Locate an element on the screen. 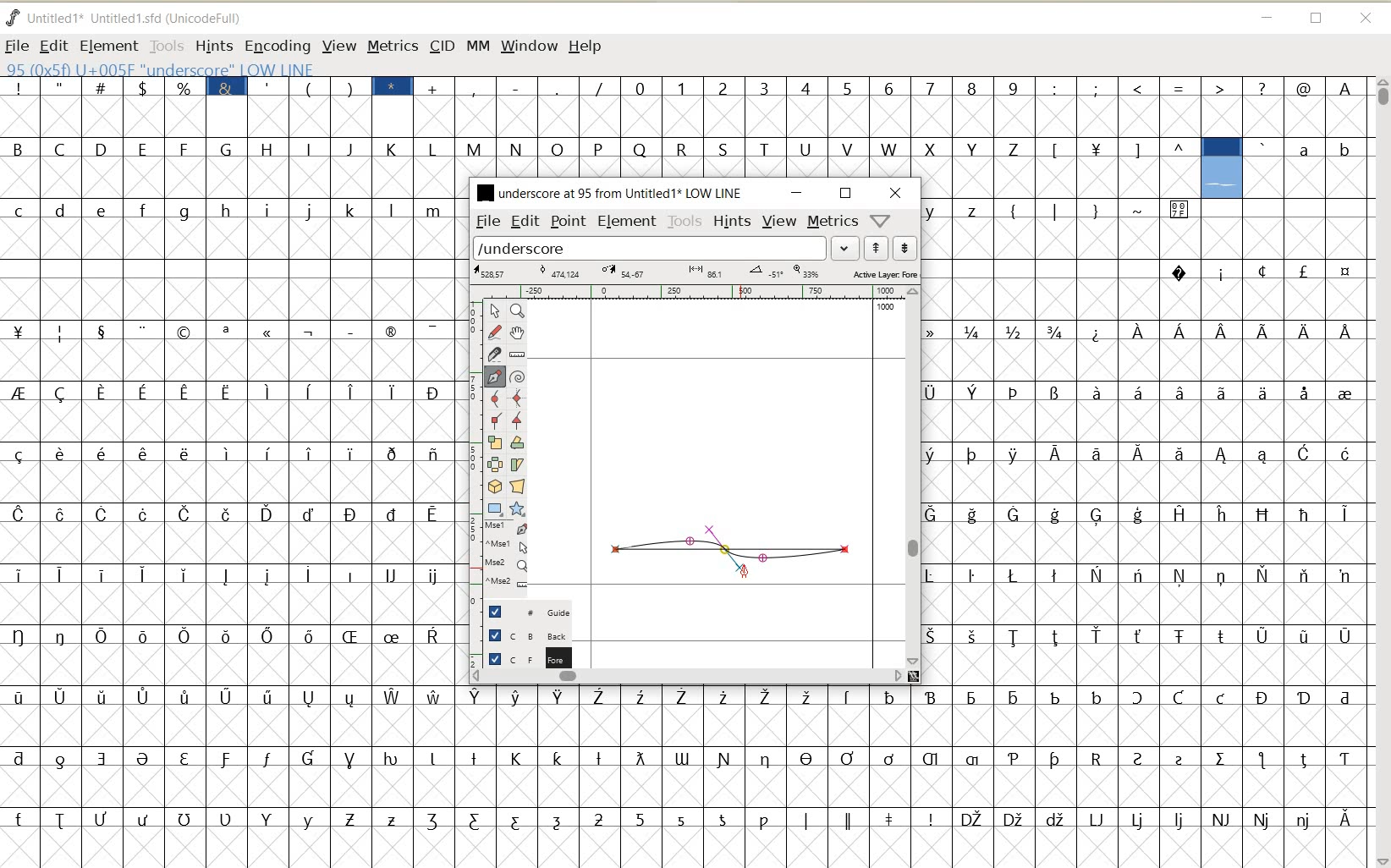 The height and width of the screenshot is (868, 1391). GLYPHY CHARACTERS & NUMBERS is located at coordinates (913, 100).